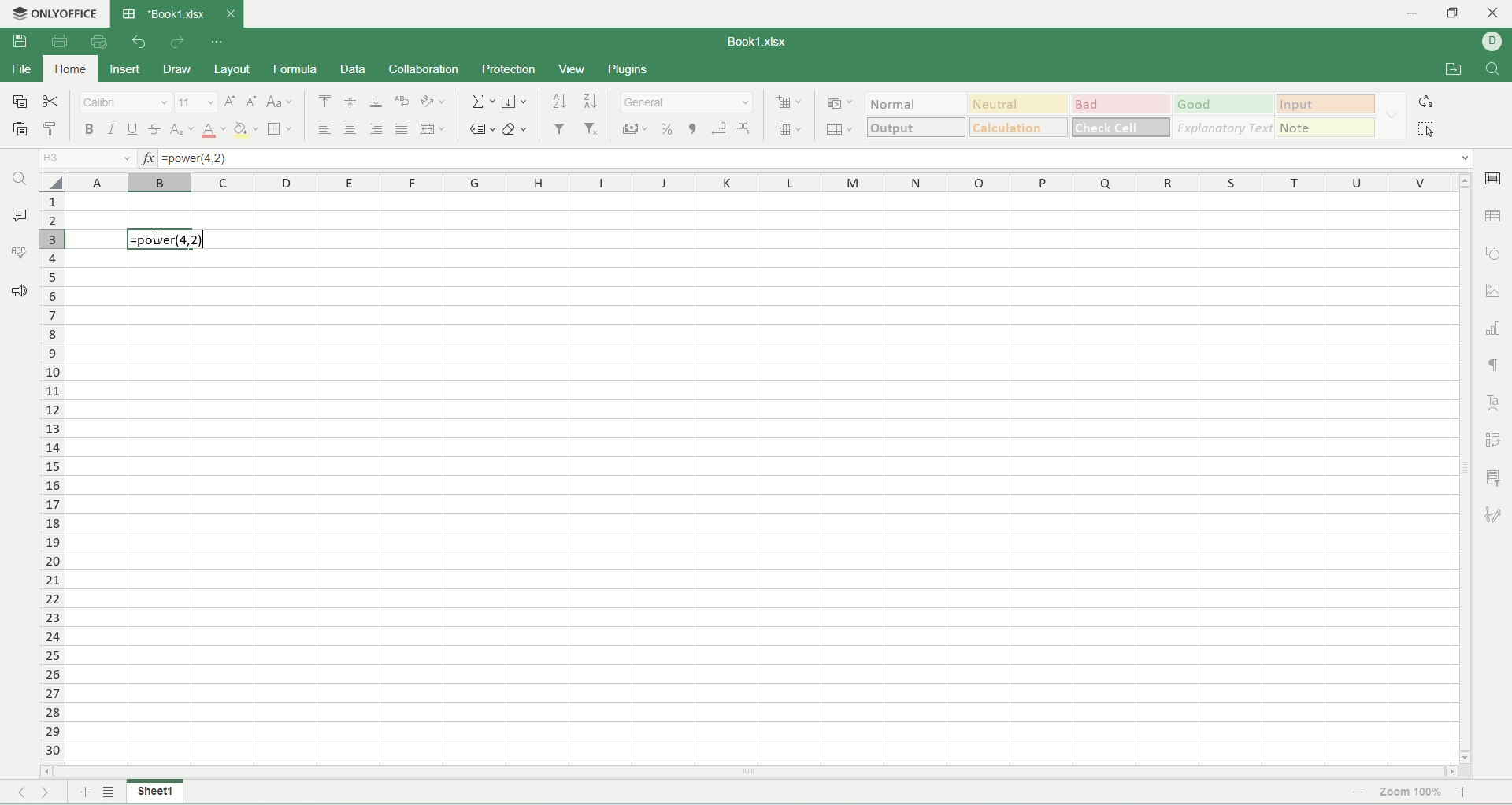 The width and height of the screenshot is (1512, 805). I want to click on signature settings, so click(1495, 514).